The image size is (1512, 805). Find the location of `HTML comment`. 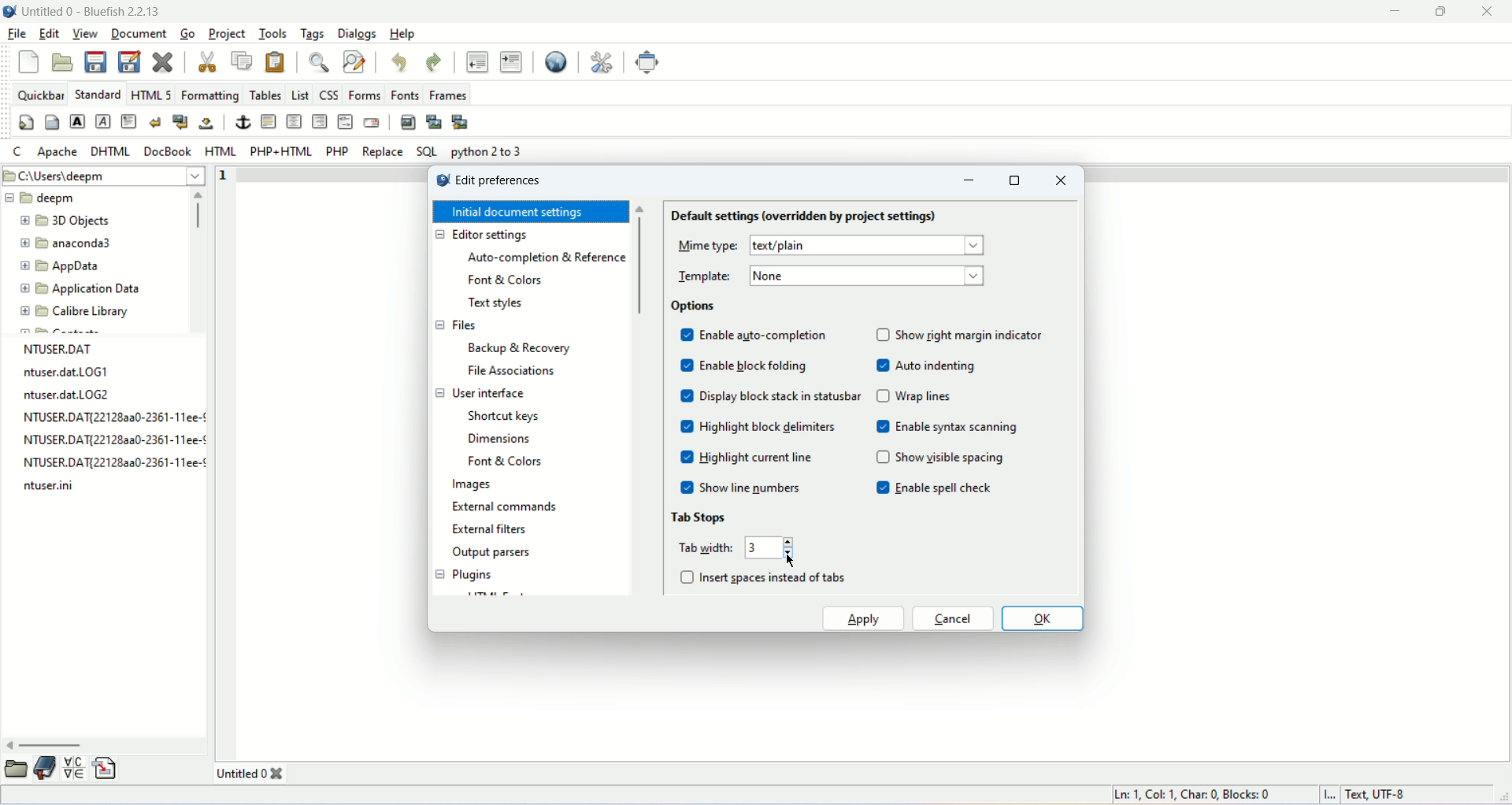

HTML comment is located at coordinates (345, 121).